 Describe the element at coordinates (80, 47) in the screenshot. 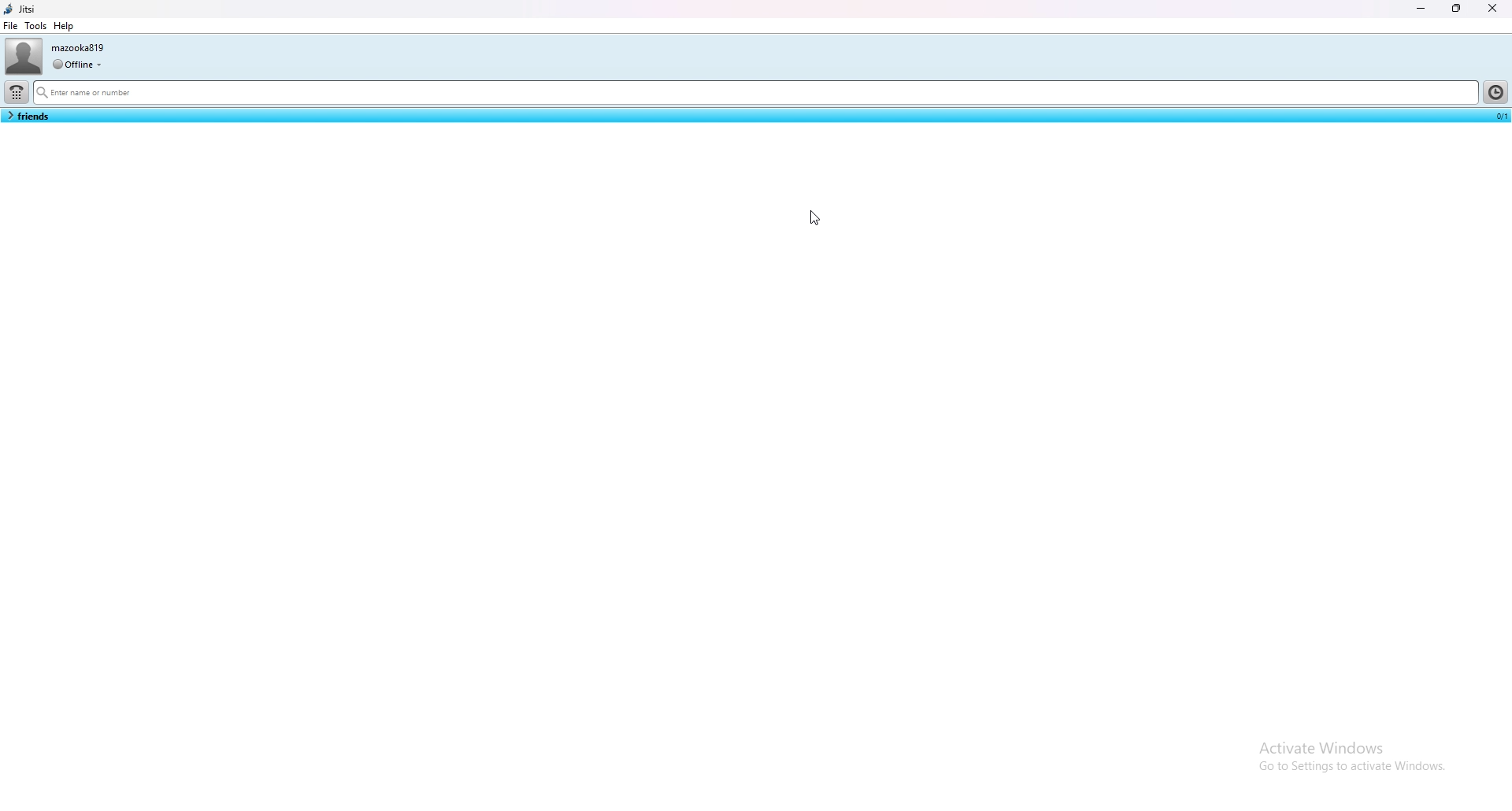

I see `username` at that location.